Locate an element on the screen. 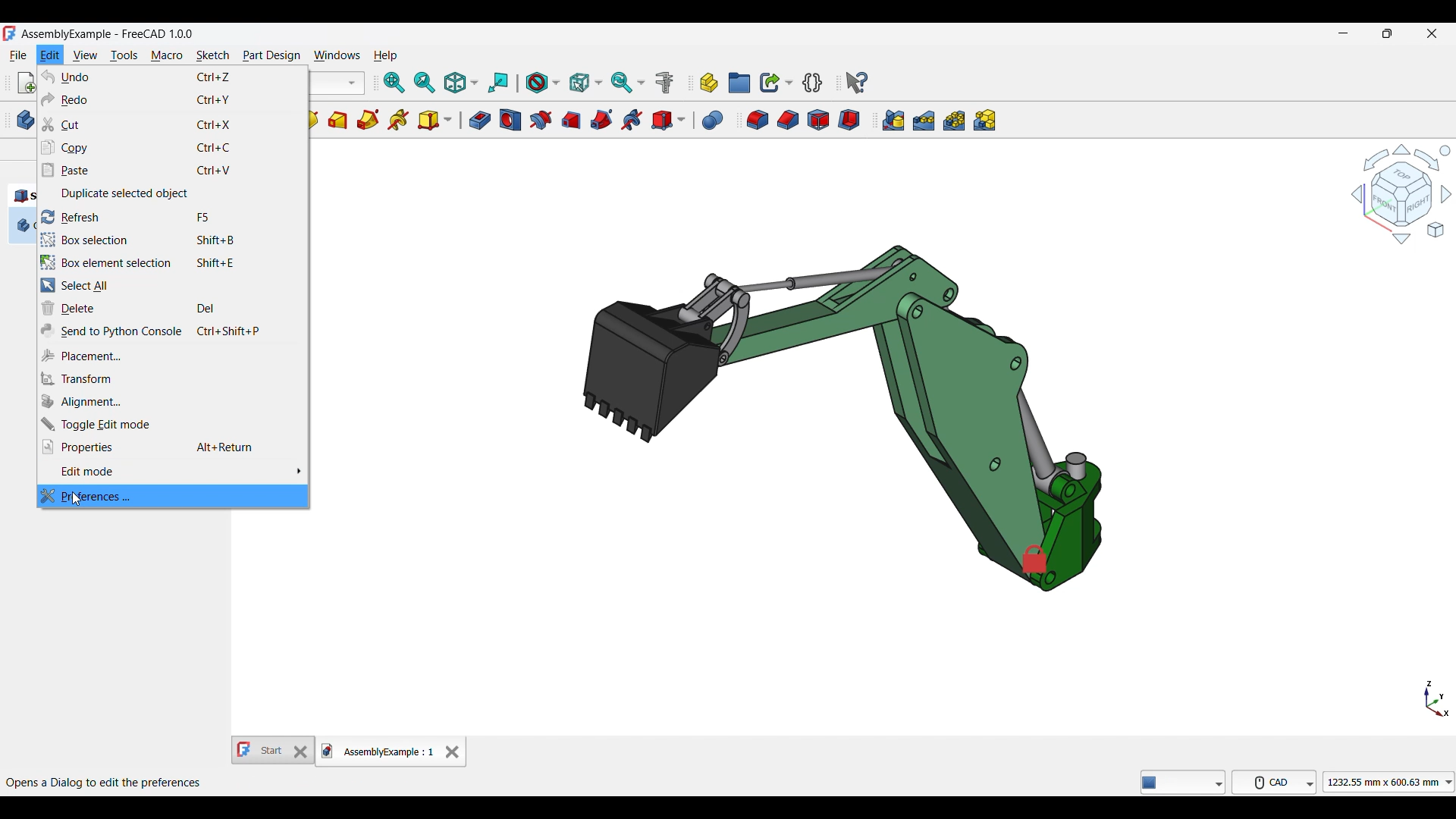 This screenshot has height=819, width=1456. Mirrored is located at coordinates (893, 120).